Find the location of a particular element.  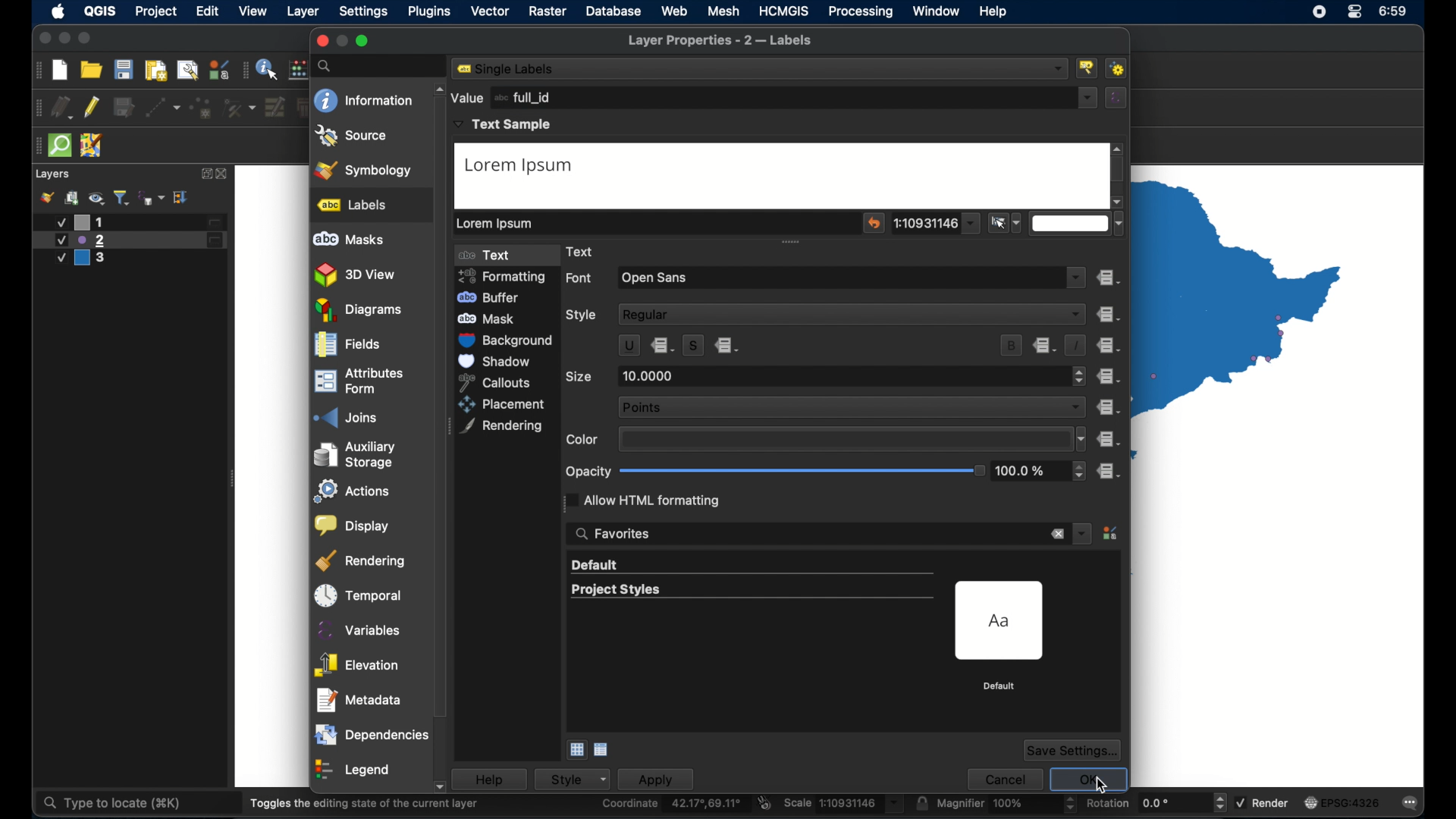

data defined override is located at coordinates (1108, 314).